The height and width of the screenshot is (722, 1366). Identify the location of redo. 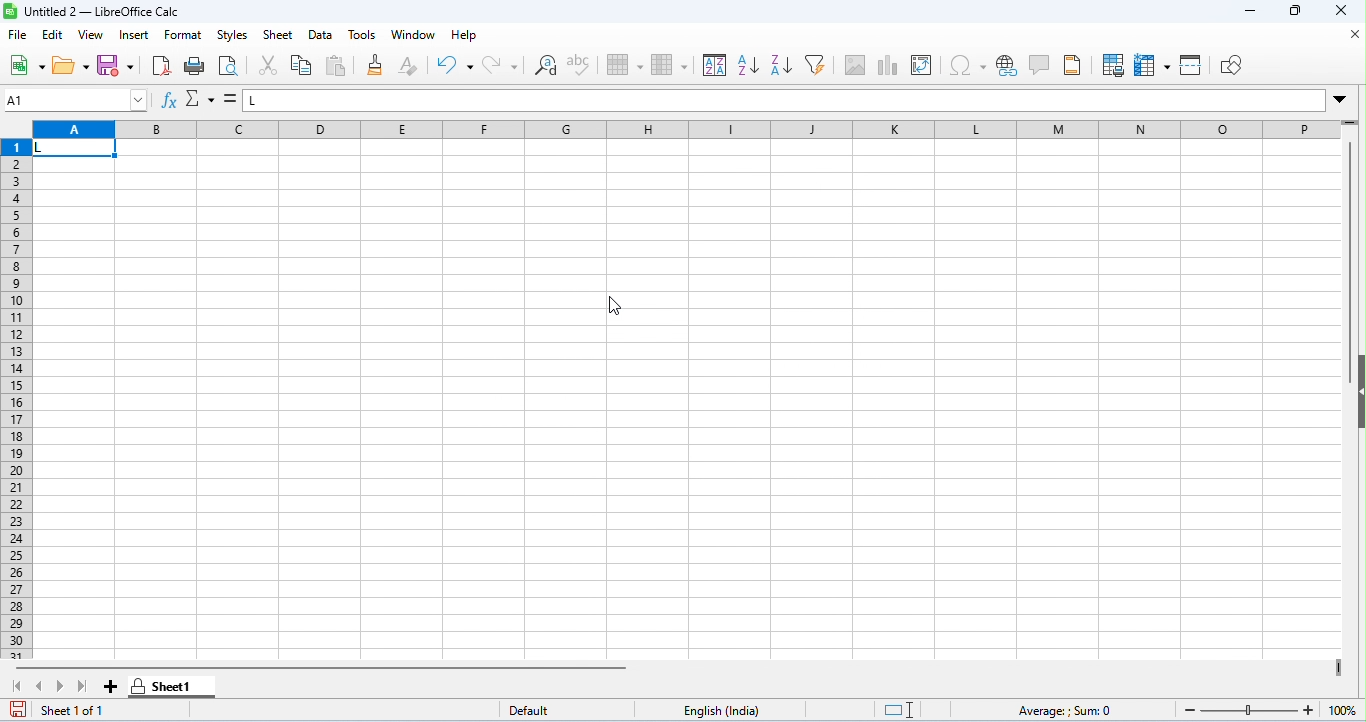
(500, 65).